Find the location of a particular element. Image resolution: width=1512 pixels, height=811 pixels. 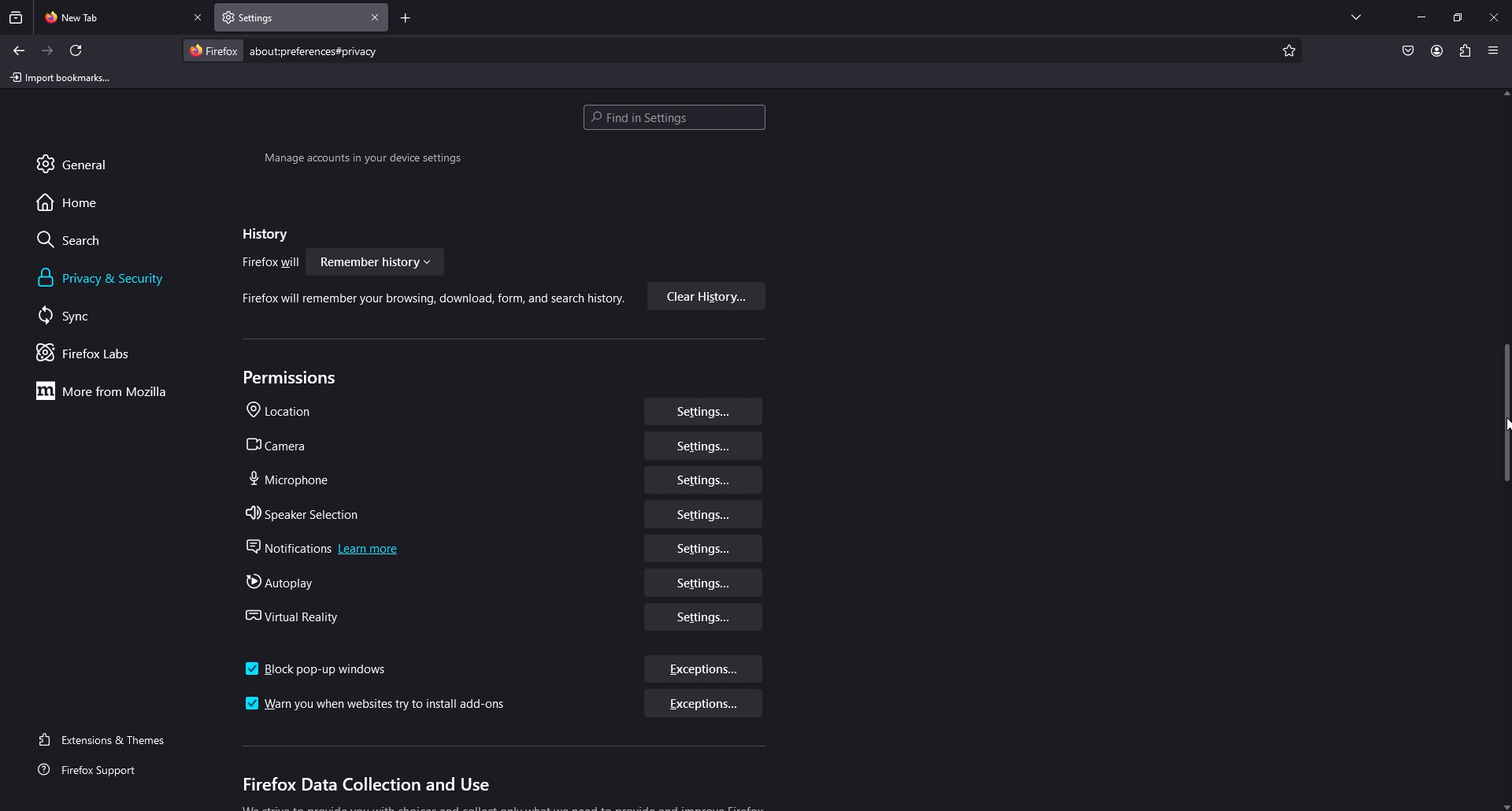

firefox support is located at coordinates (102, 771).